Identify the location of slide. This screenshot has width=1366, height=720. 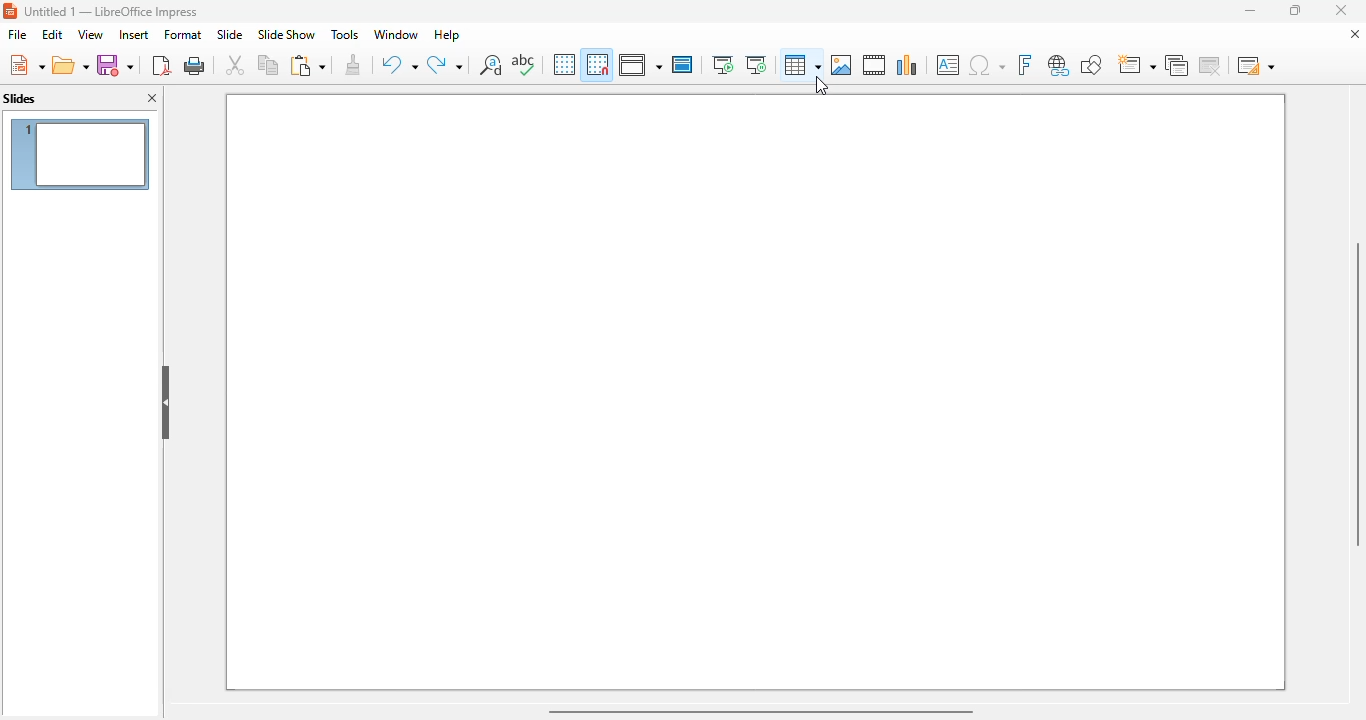
(231, 34).